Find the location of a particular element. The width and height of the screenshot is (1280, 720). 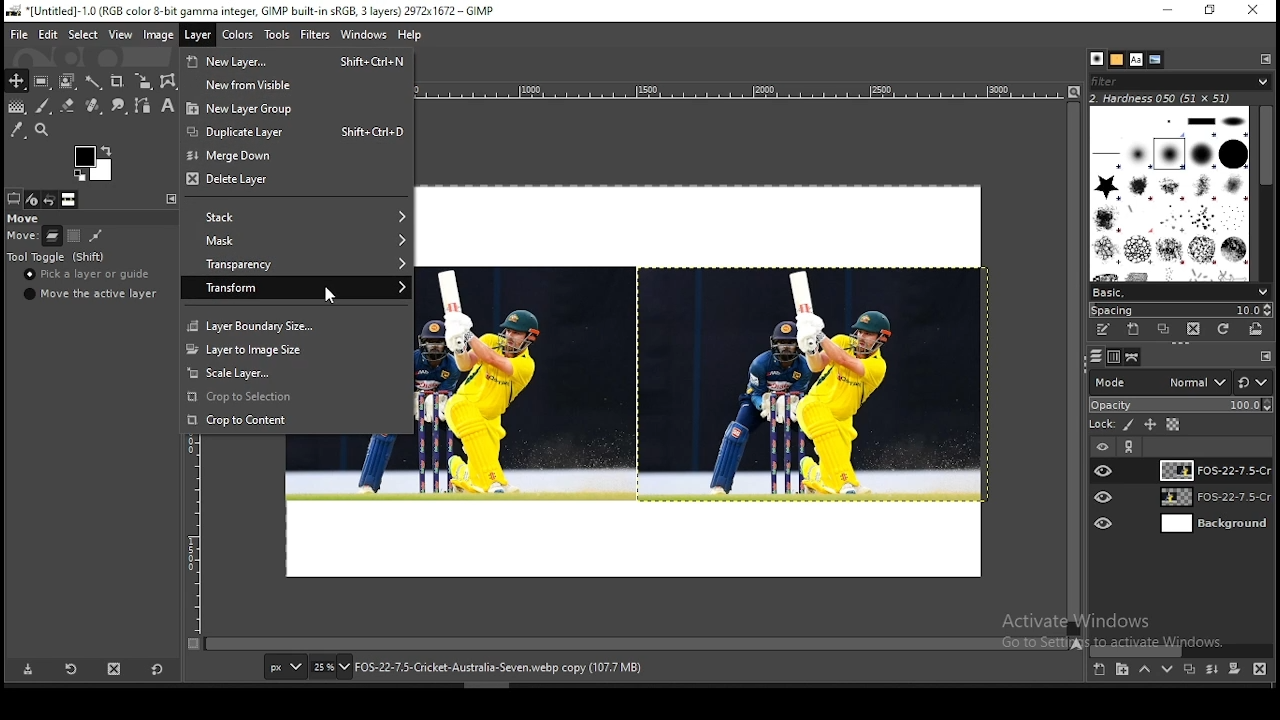

edit is located at coordinates (50, 34).